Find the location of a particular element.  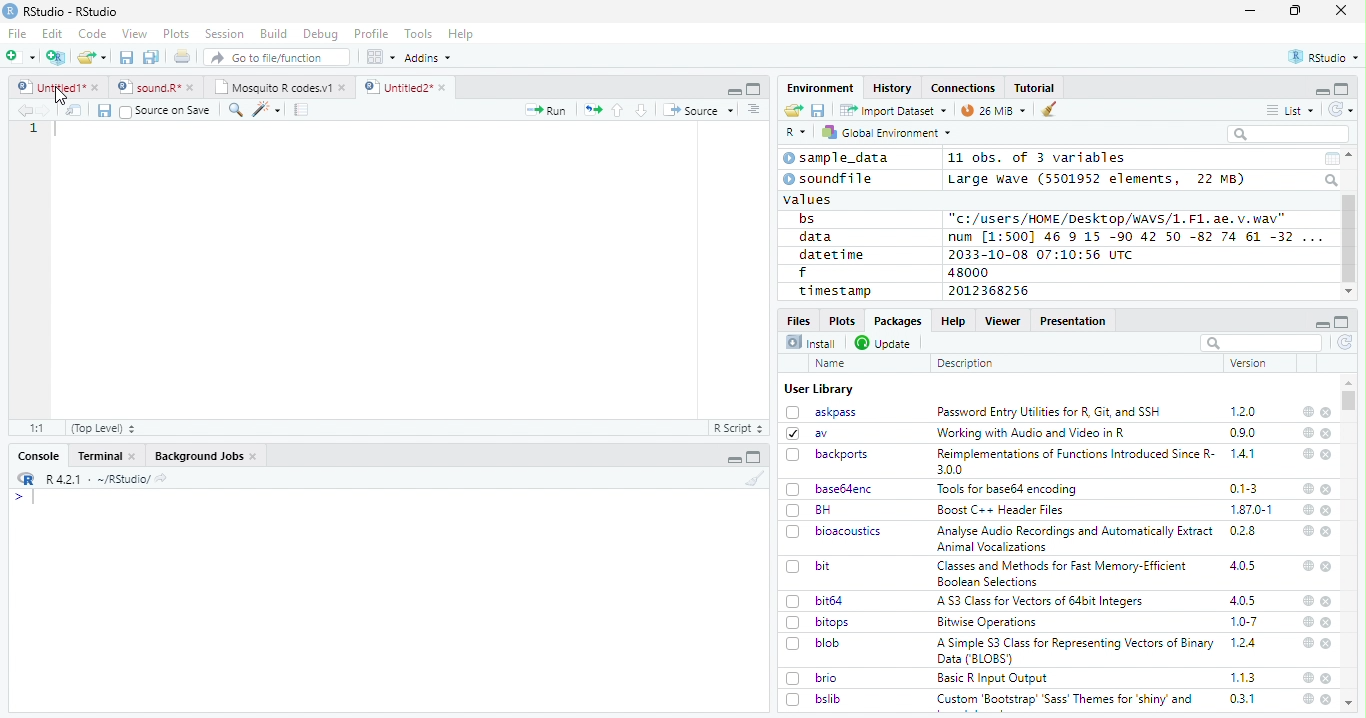

Calendar is located at coordinates (1331, 159).